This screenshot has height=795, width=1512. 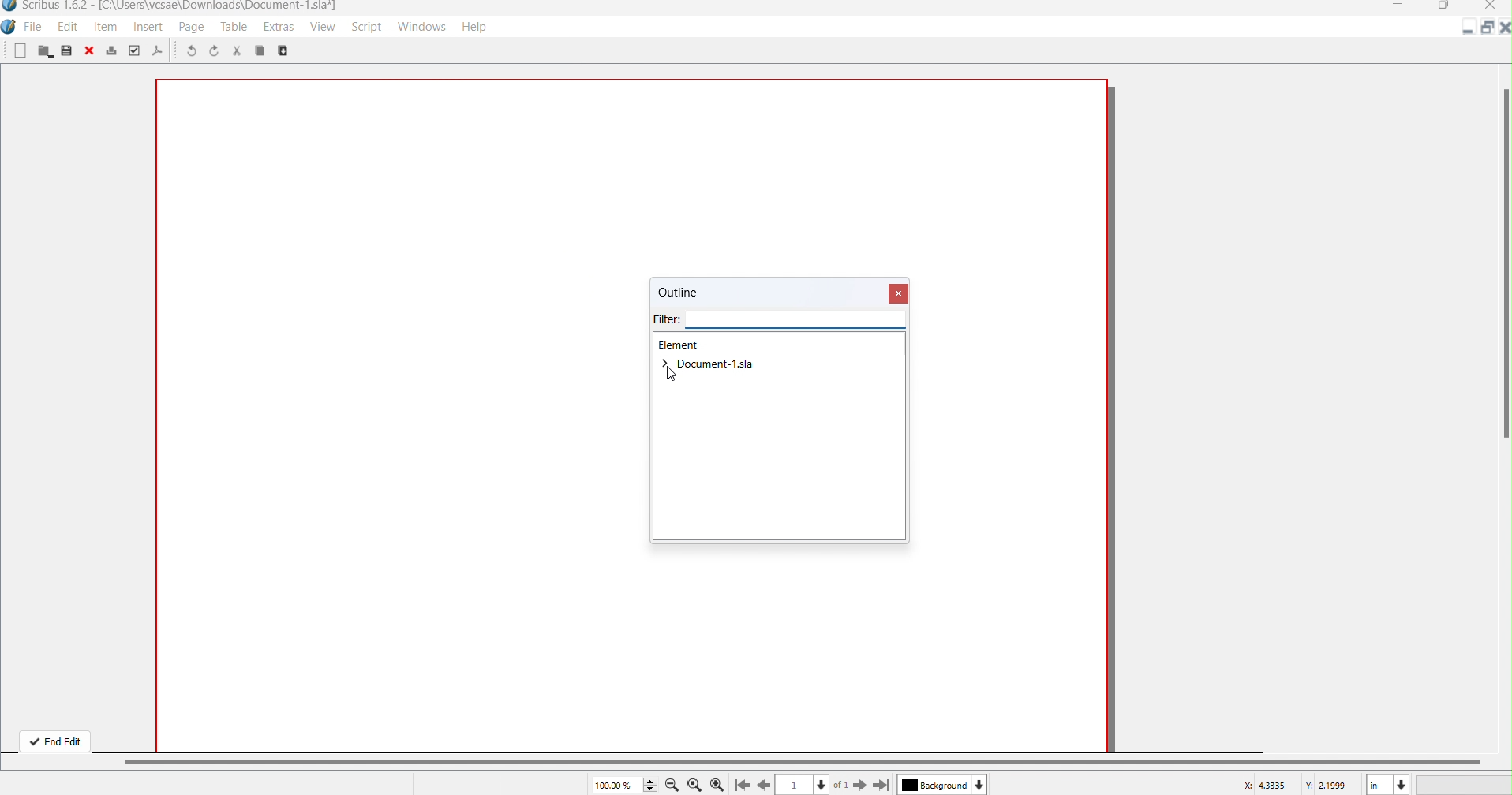 I want to click on Edit, so click(x=67, y=28).